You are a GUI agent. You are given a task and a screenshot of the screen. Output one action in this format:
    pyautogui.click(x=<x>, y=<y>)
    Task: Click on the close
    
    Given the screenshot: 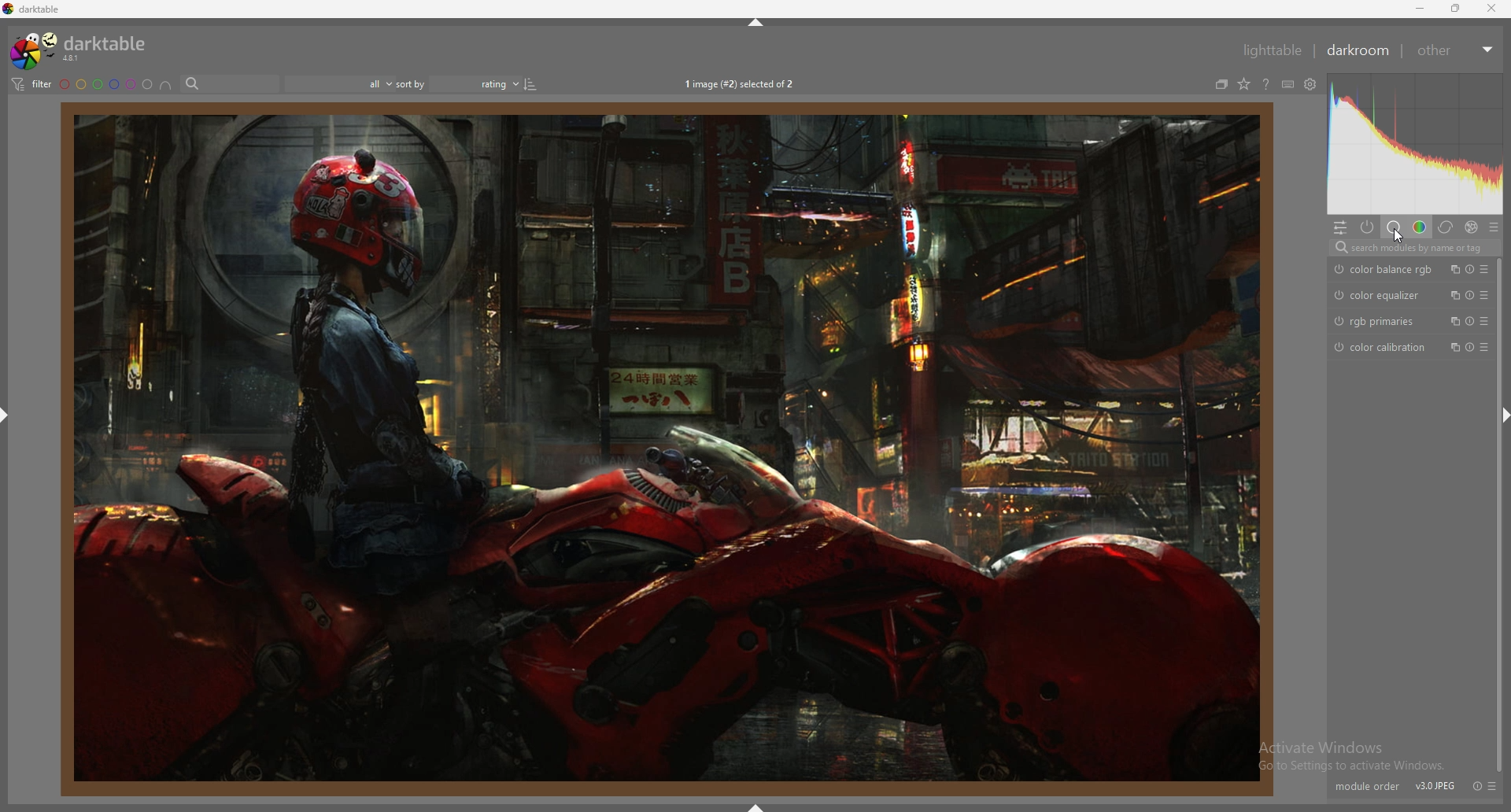 What is the action you would take?
    pyautogui.click(x=1491, y=9)
    